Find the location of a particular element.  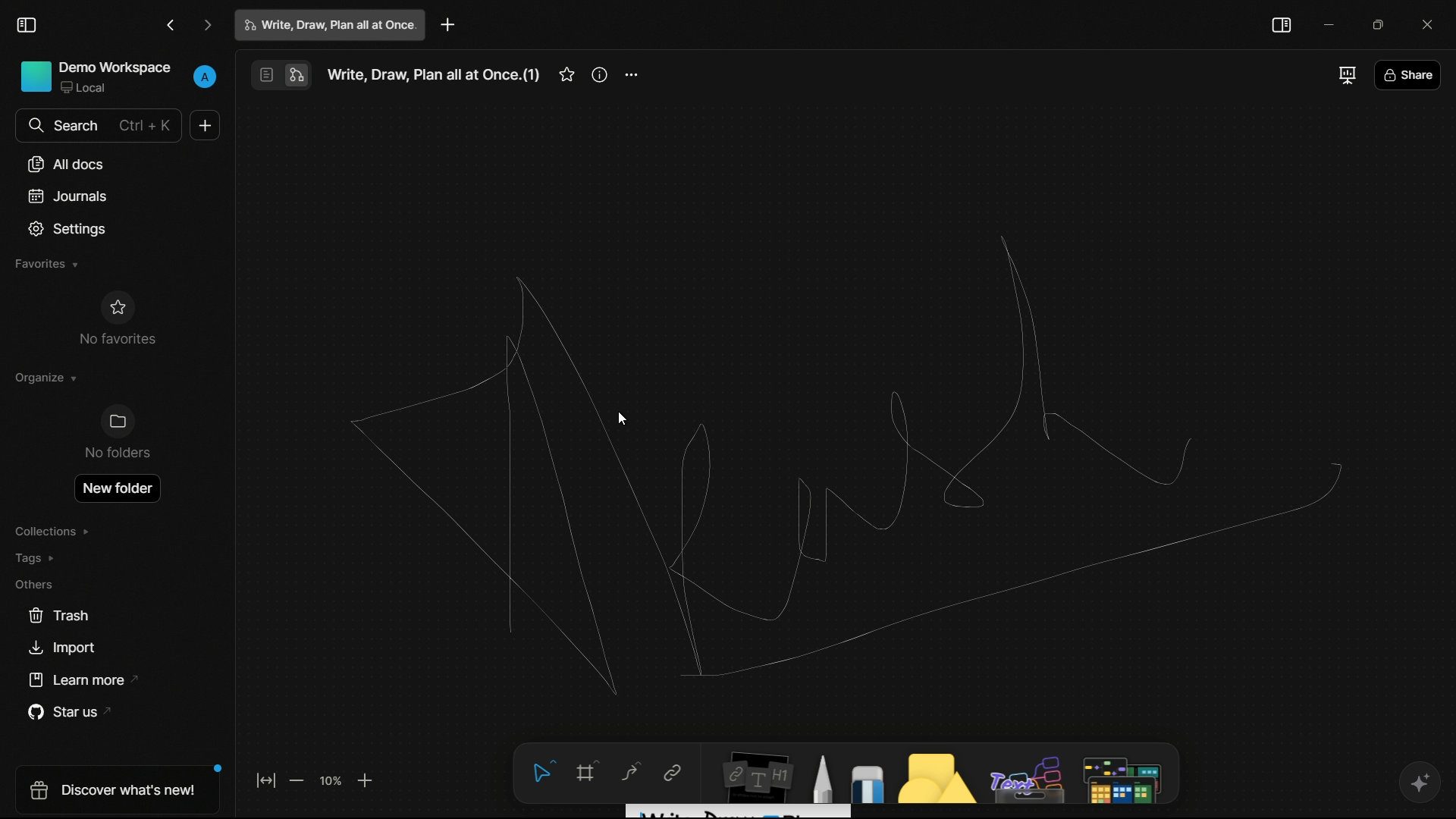

select is located at coordinates (543, 771).